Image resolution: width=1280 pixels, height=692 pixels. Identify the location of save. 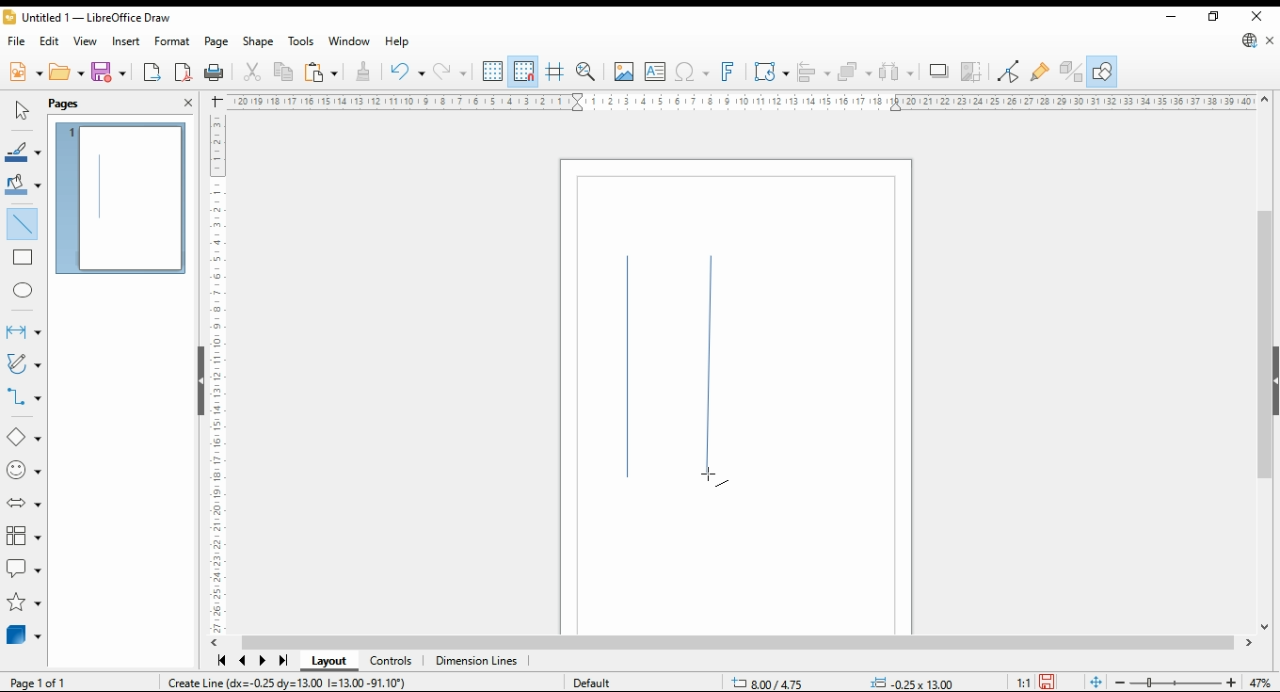
(109, 71).